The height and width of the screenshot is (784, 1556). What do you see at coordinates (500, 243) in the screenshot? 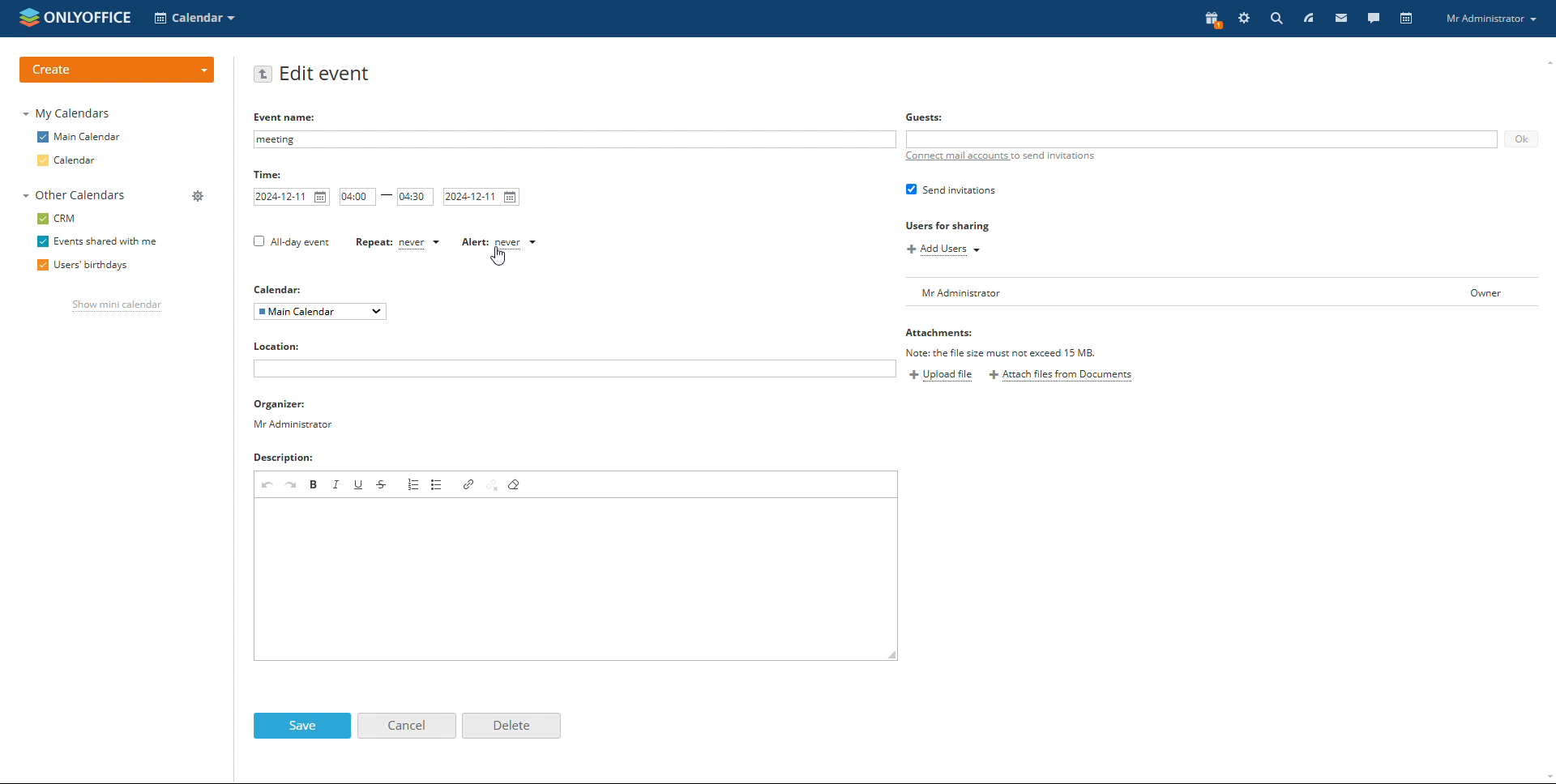
I see `set alert` at bounding box center [500, 243].